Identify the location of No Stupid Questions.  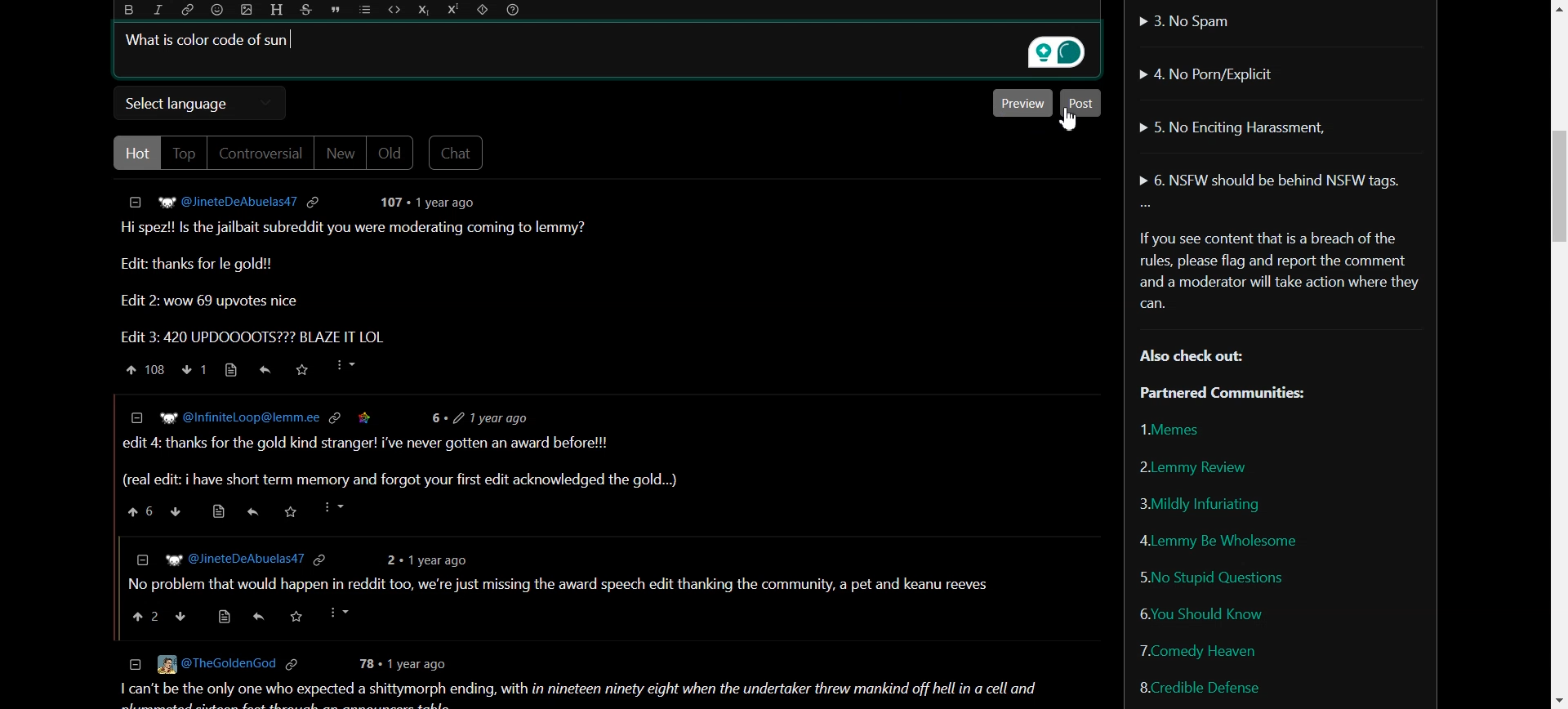
(1214, 576).